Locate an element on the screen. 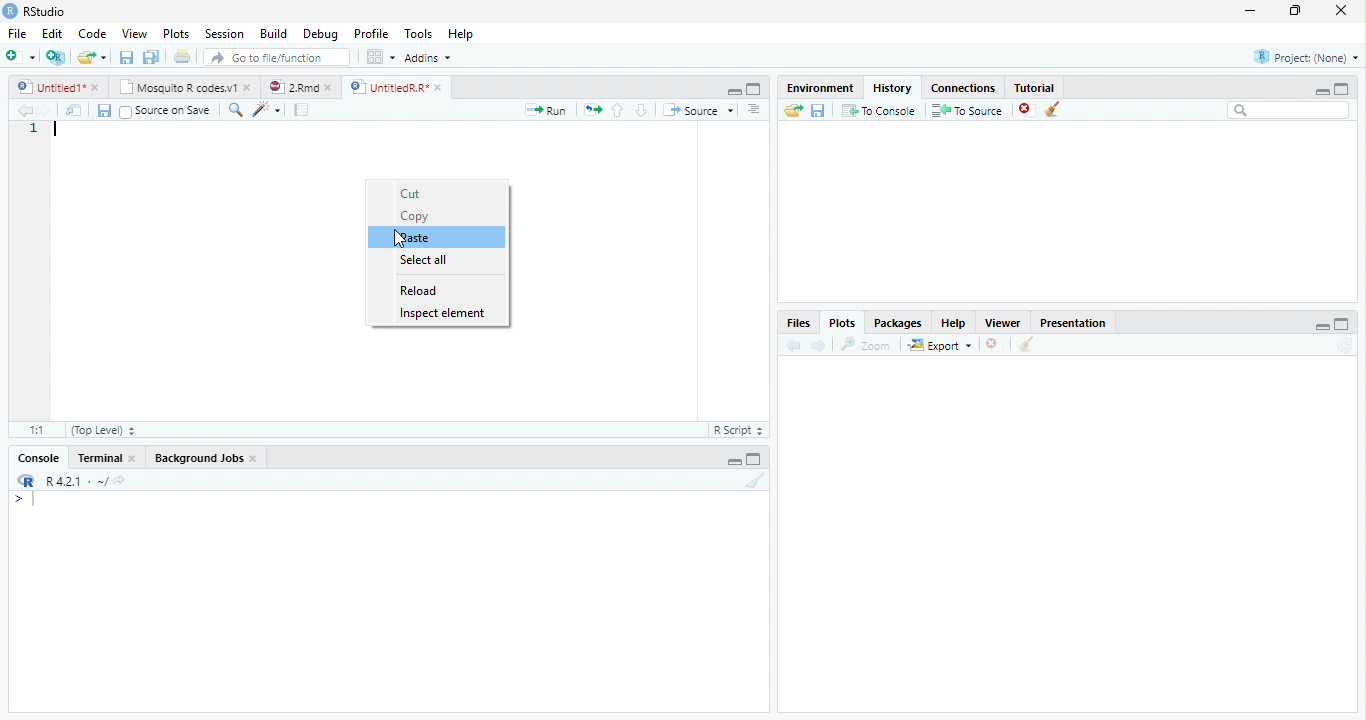 The height and width of the screenshot is (720, 1366). To console is located at coordinates (880, 110).